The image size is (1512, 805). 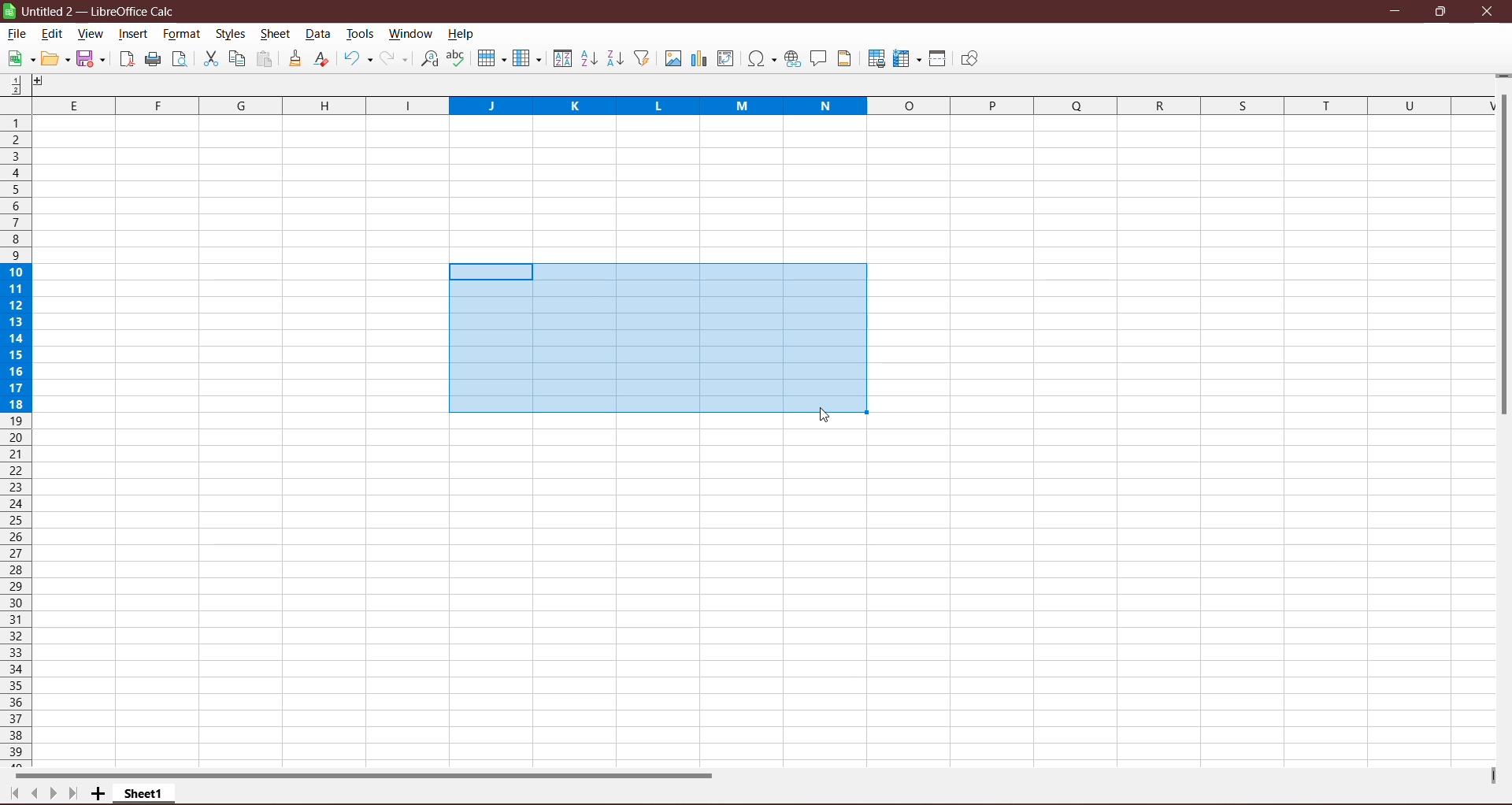 I want to click on Scroll to first page, so click(x=11, y=794).